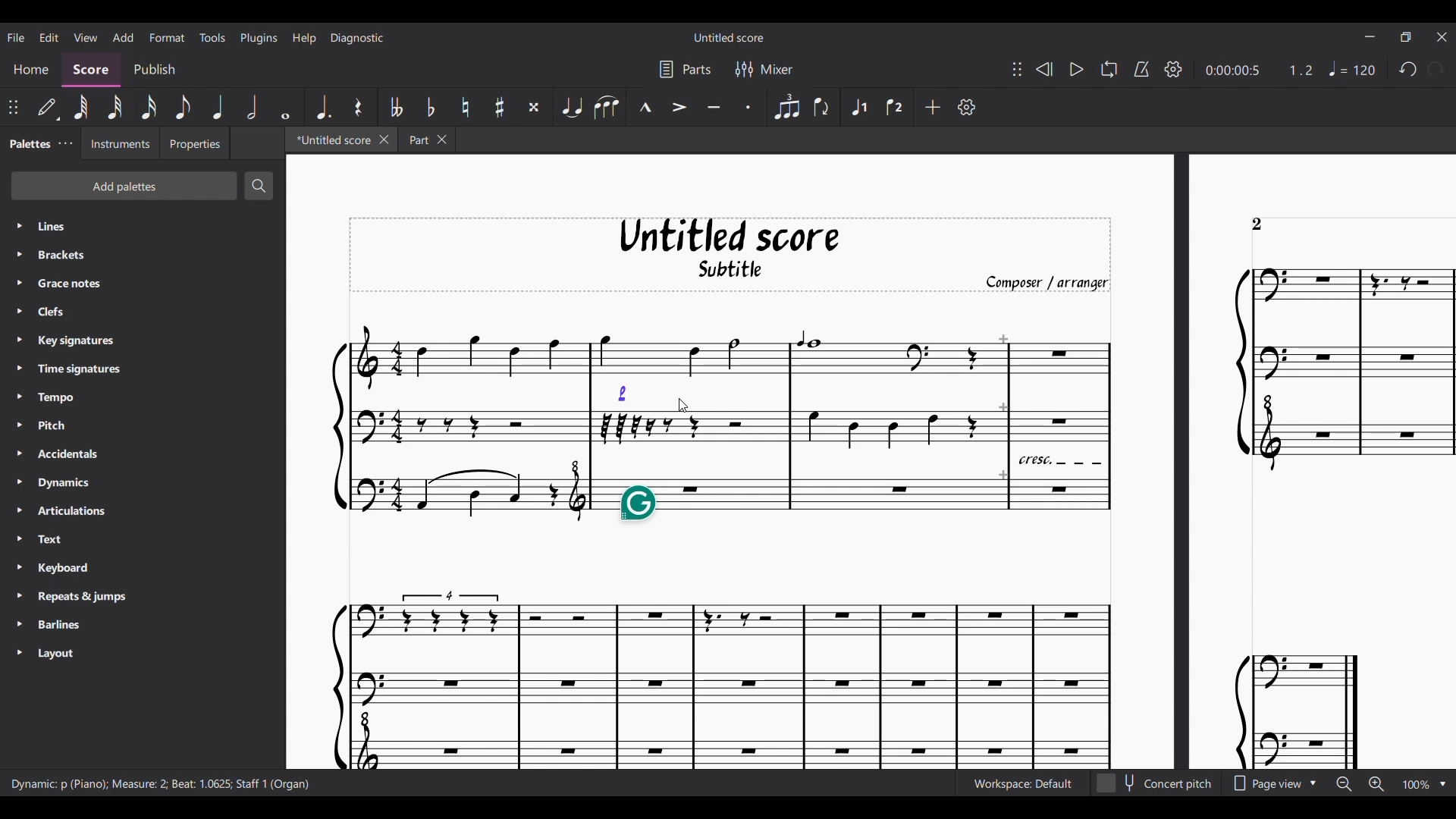  I want to click on Publish section, so click(153, 70).